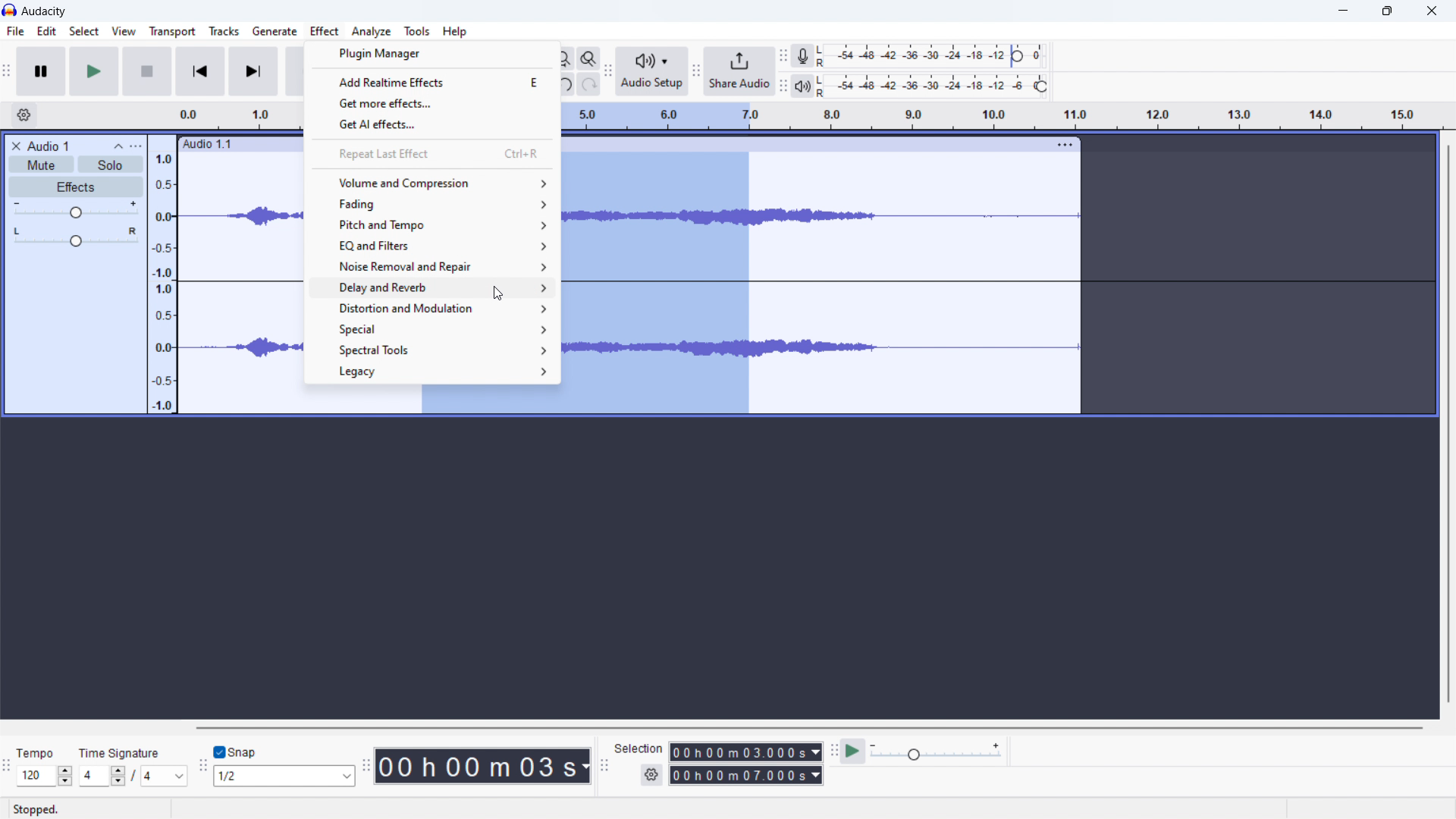 The width and height of the screenshot is (1456, 819). Describe the element at coordinates (173, 32) in the screenshot. I see `transport` at that location.